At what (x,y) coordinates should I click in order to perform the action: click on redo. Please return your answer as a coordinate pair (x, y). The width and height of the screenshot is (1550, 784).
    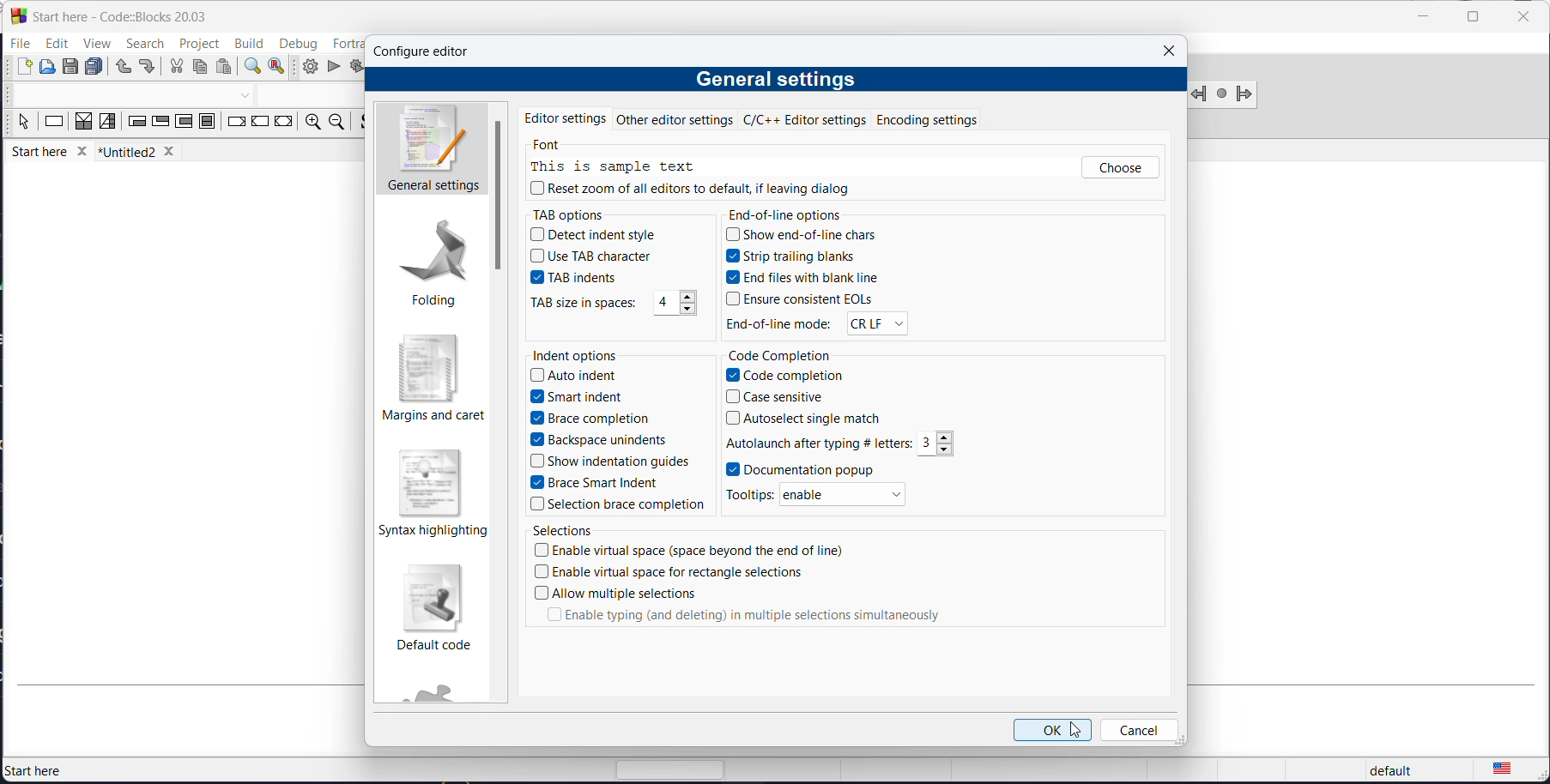
    Looking at the image, I should click on (147, 69).